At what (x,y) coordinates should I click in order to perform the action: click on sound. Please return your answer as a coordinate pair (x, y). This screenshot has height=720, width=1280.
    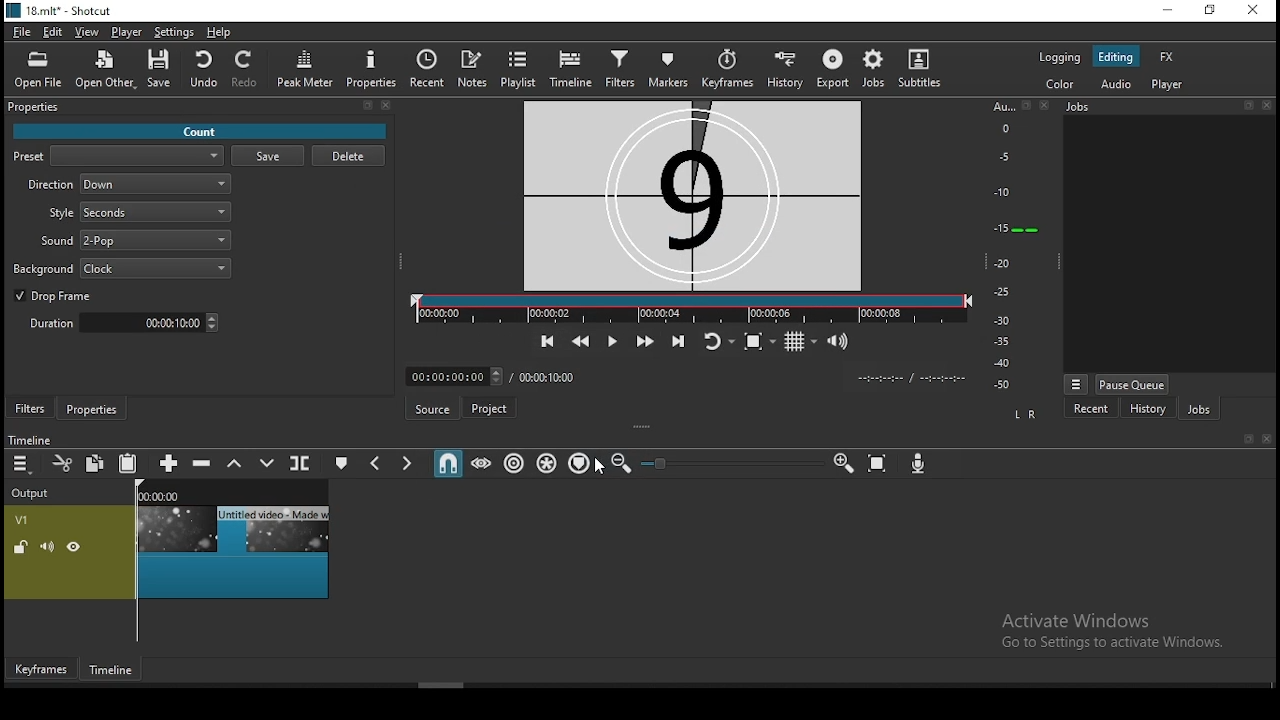
    Looking at the image, I should click on (135, 239).